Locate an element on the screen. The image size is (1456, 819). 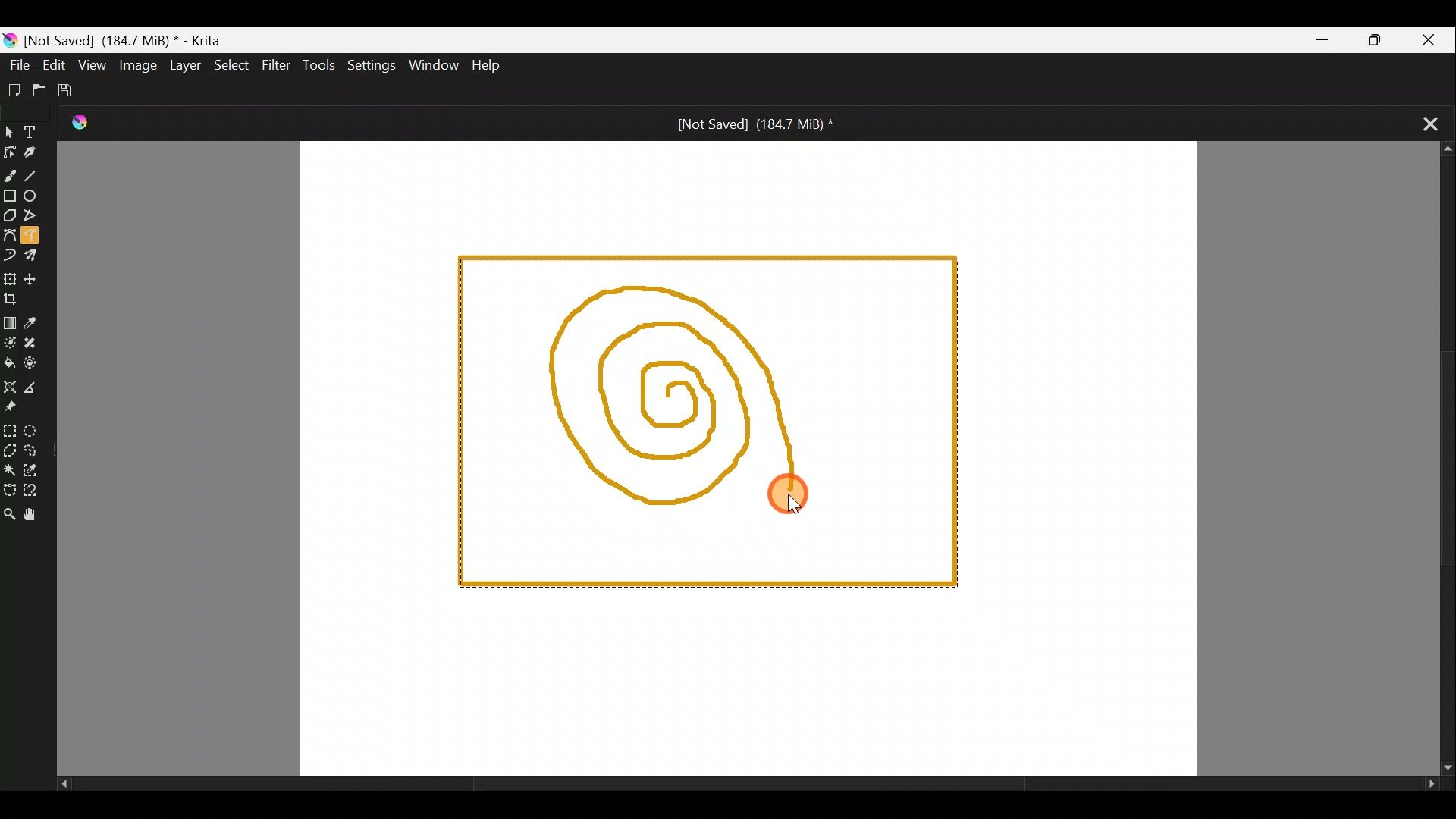
Polygonal selection tool is located at coordinates (9, 452).